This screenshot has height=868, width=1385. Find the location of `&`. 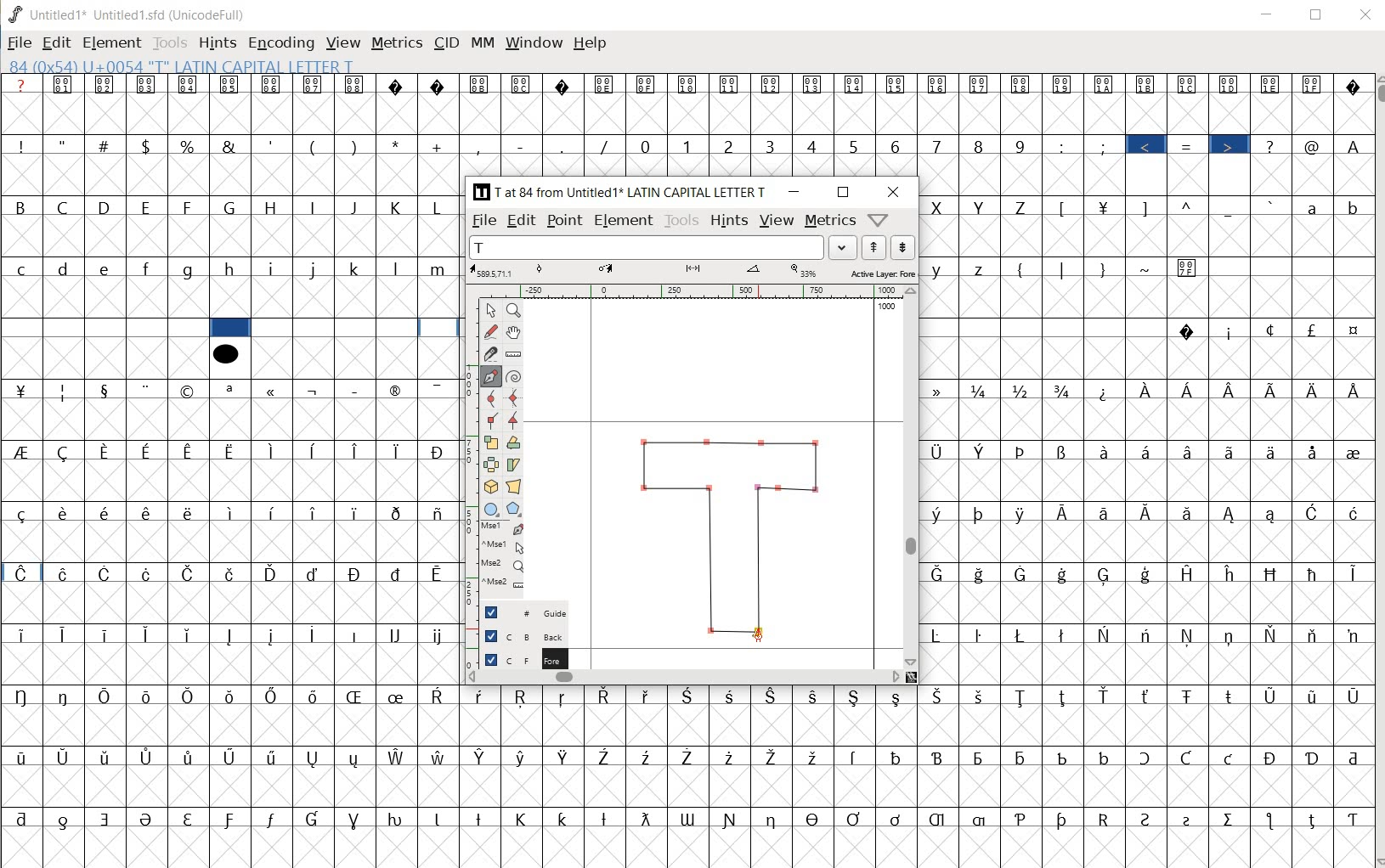

& is located at coordinates (229, 144).